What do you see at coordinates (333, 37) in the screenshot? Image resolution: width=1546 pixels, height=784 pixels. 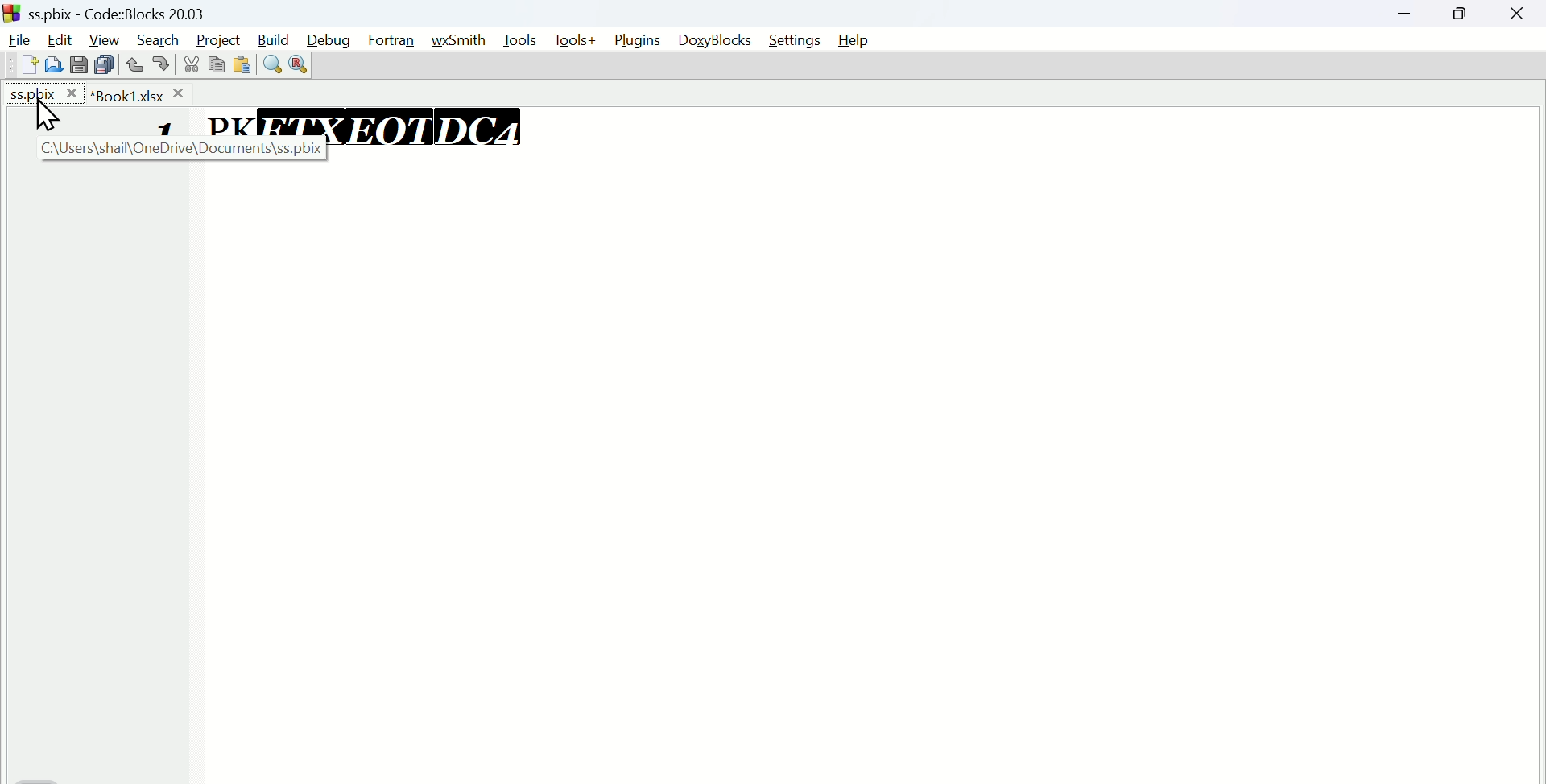 I see `Debug` at bounding box center [333, 37].